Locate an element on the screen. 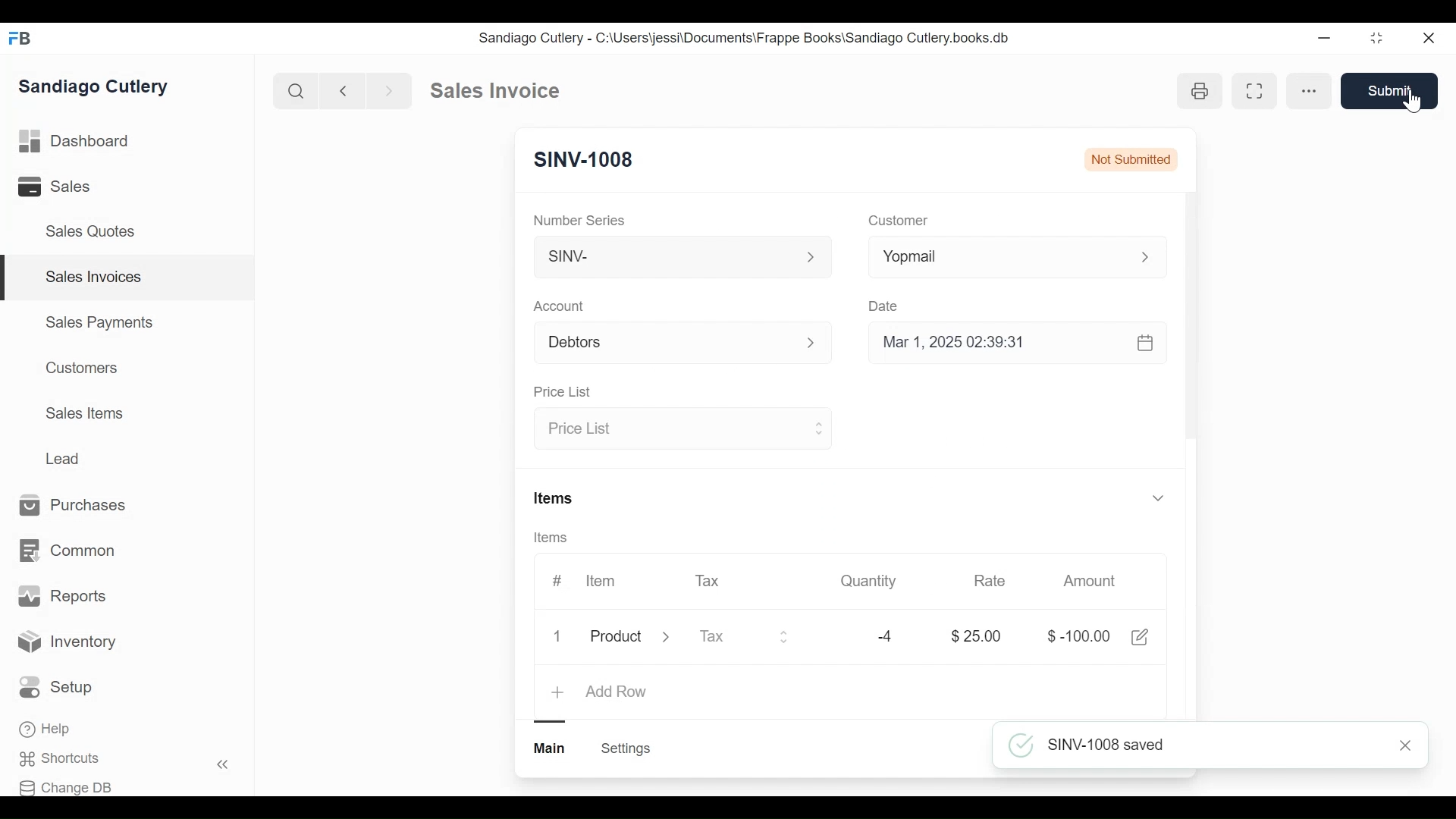 This screenshot has height=819, width=1456. Close is located at coordinates (1432, 39).